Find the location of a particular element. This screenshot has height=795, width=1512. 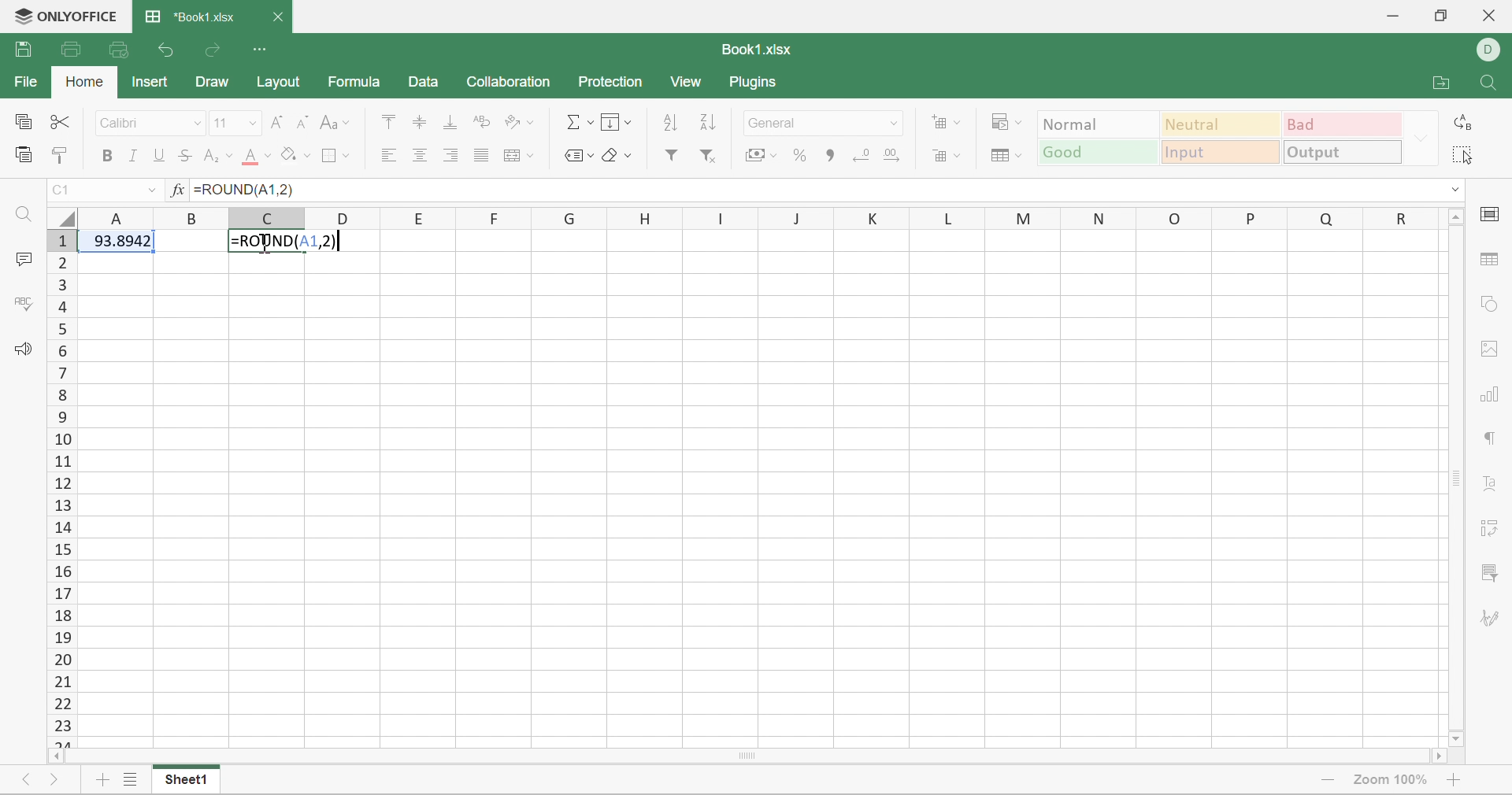

Pivot Table settings is located at coordinates (1494, 527).